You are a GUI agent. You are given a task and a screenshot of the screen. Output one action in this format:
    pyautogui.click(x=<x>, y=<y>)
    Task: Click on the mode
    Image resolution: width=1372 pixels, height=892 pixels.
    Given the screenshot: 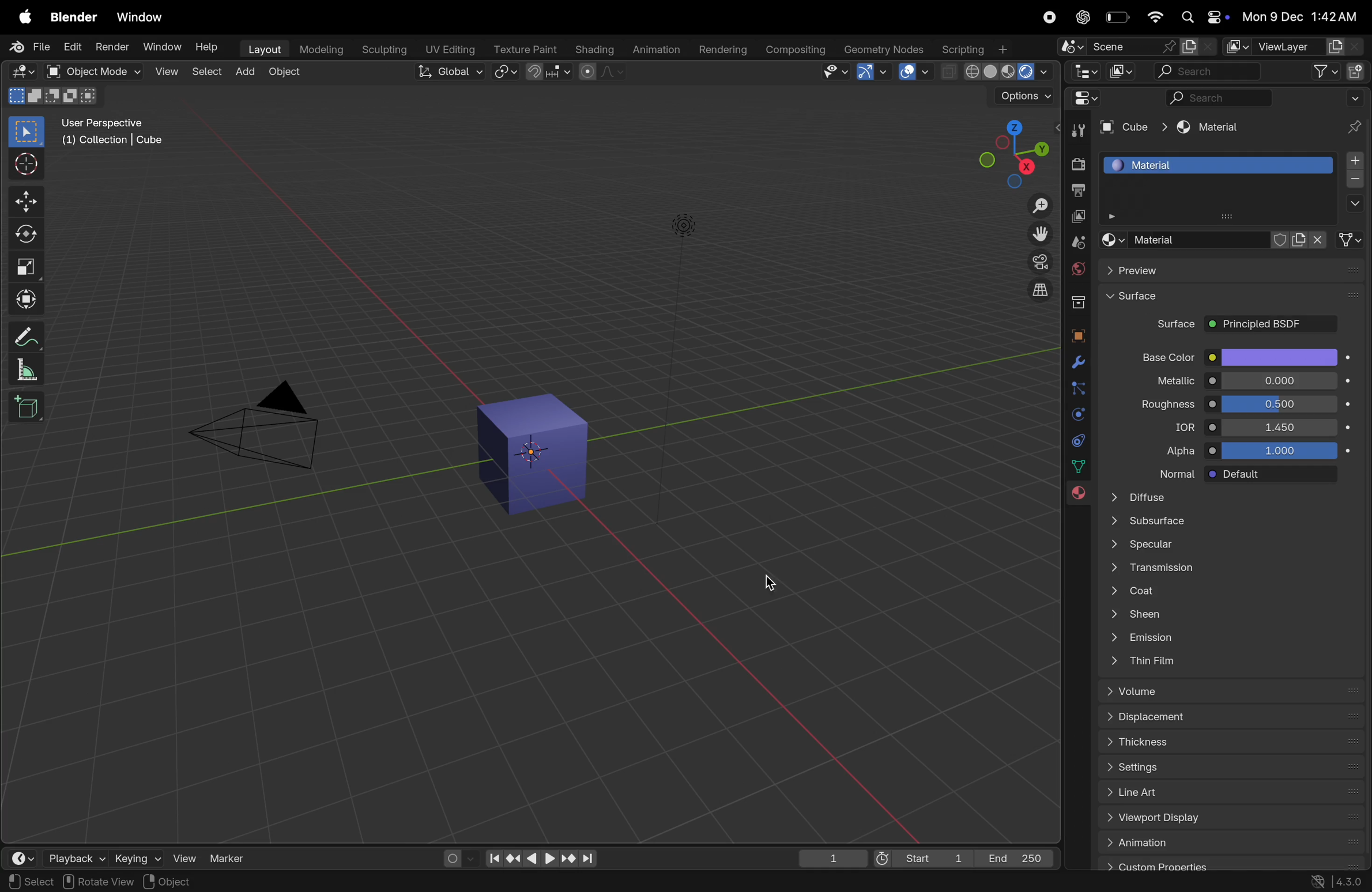 What is the action you would take?
    pyautogui.click(x=54, y=95)
    